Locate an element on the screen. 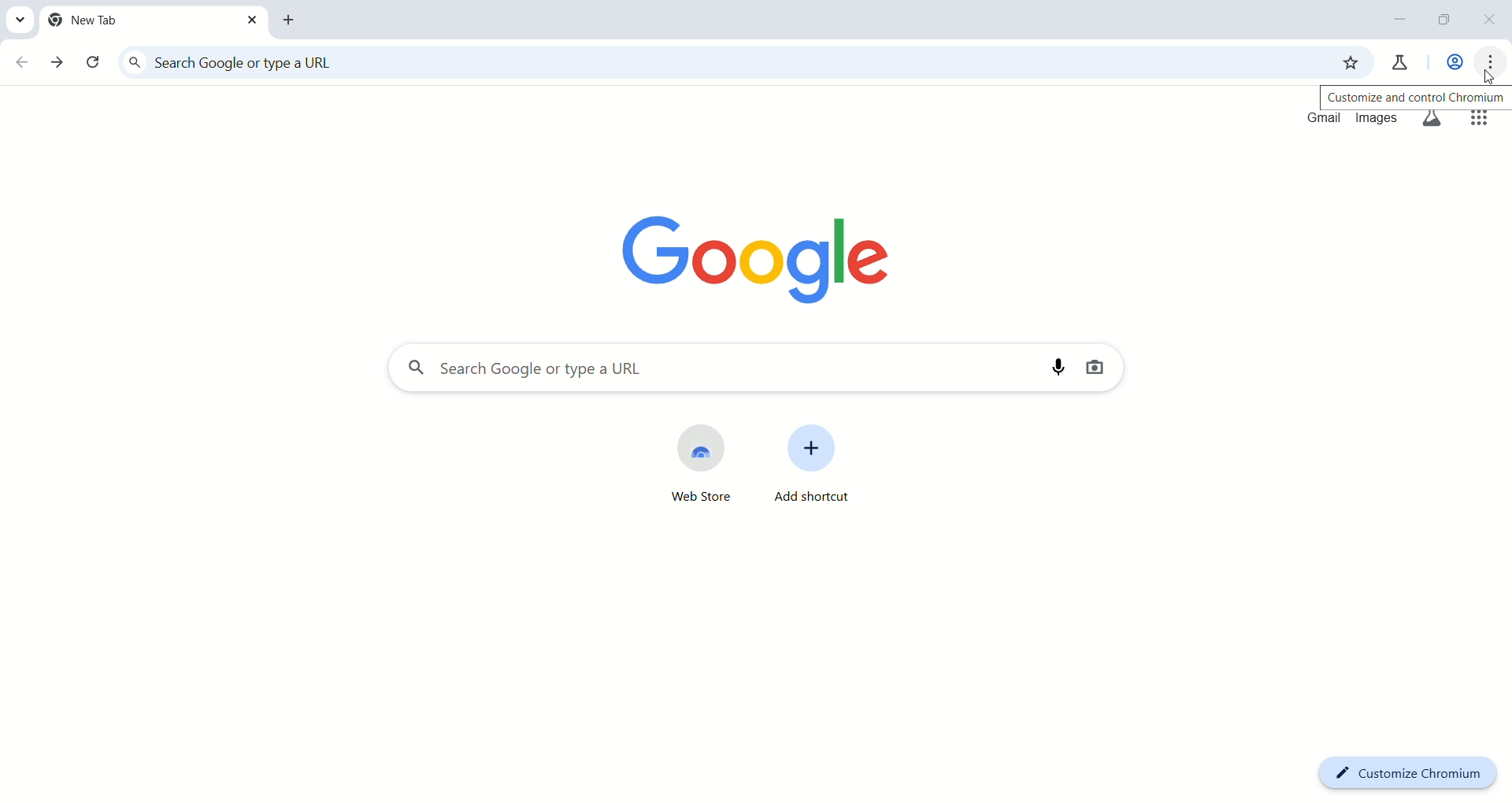  google apps is located at coordinates (1480, 120).